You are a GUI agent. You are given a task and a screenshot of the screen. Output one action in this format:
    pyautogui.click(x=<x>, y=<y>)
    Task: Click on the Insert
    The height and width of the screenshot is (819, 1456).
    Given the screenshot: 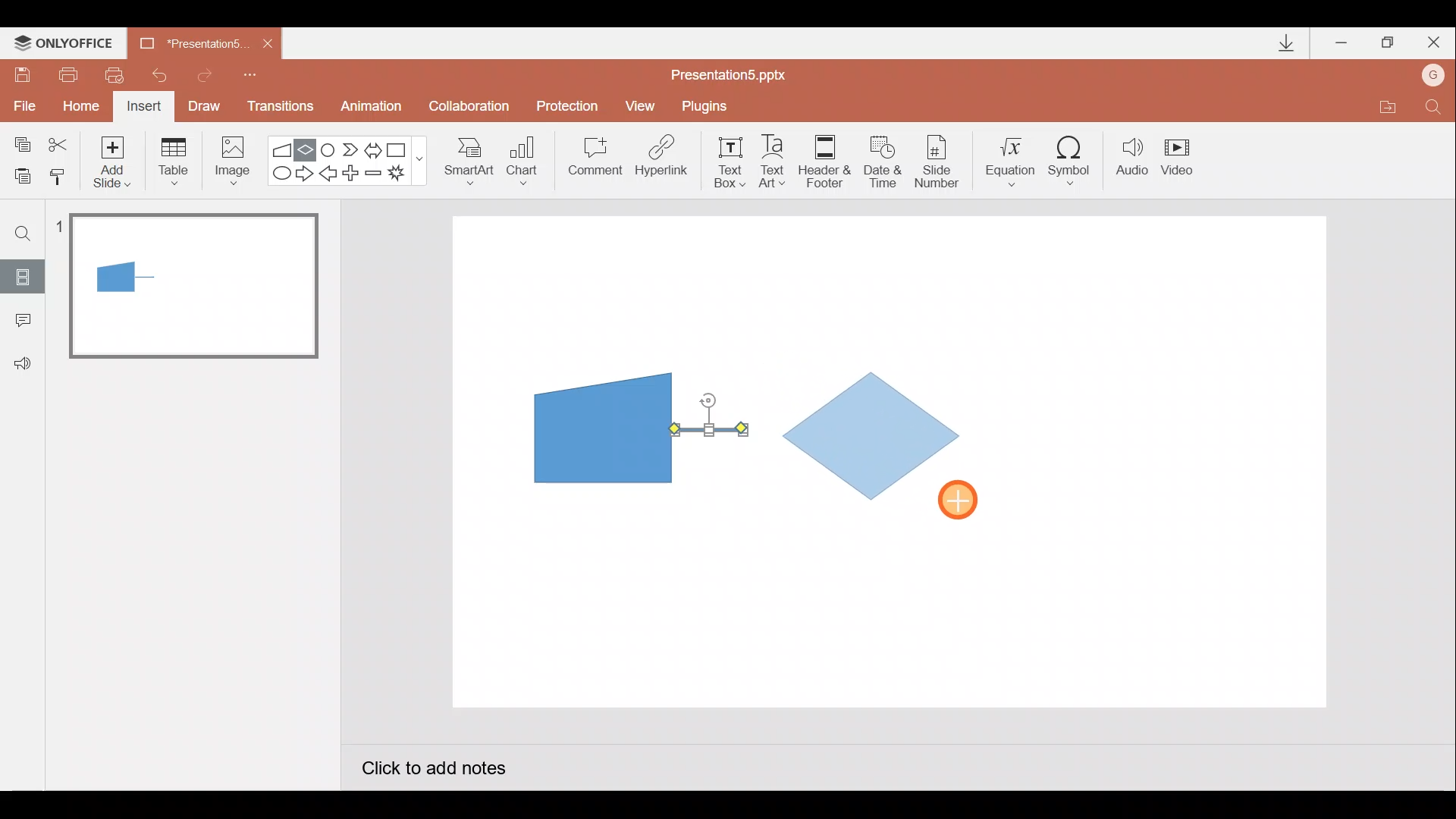 What is the action you would take?
    pyautogui.click(x=142, y=108)
    